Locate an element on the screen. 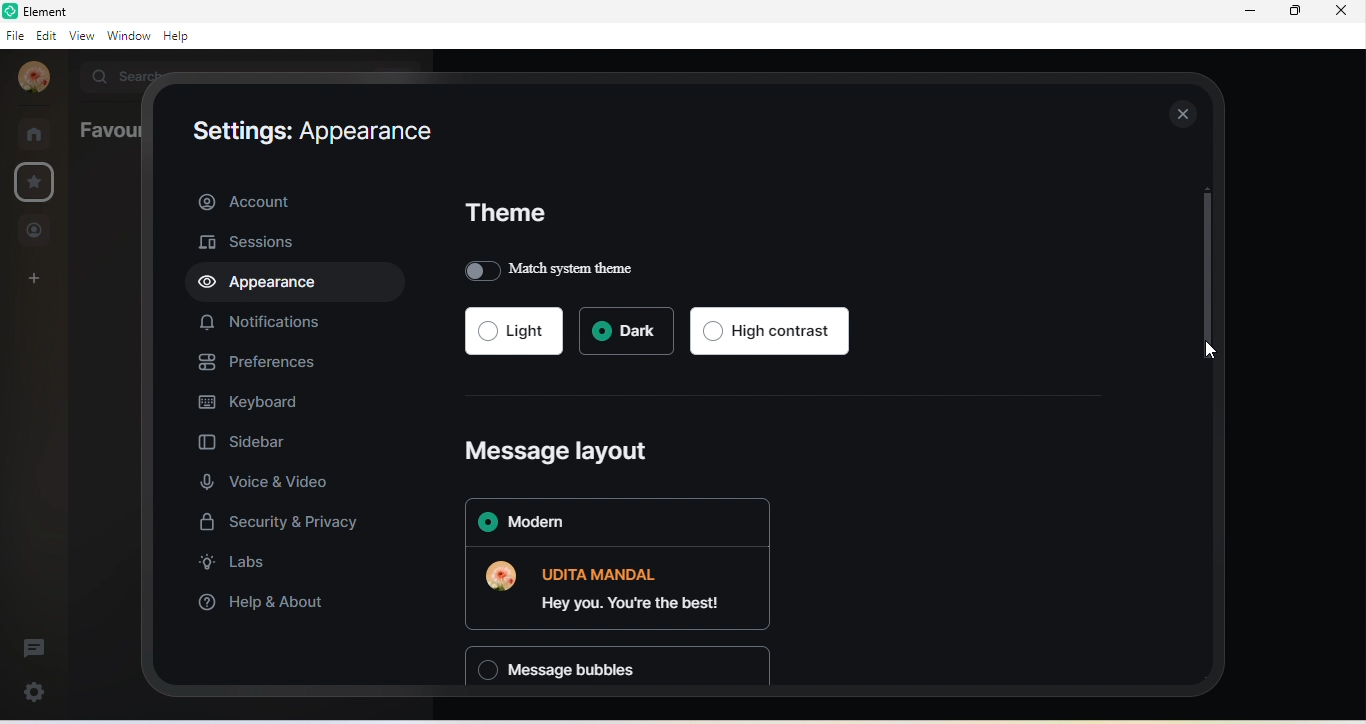 The width and height of the screenshot is (1366, 724). notifications is located at coordinates (260, 325).